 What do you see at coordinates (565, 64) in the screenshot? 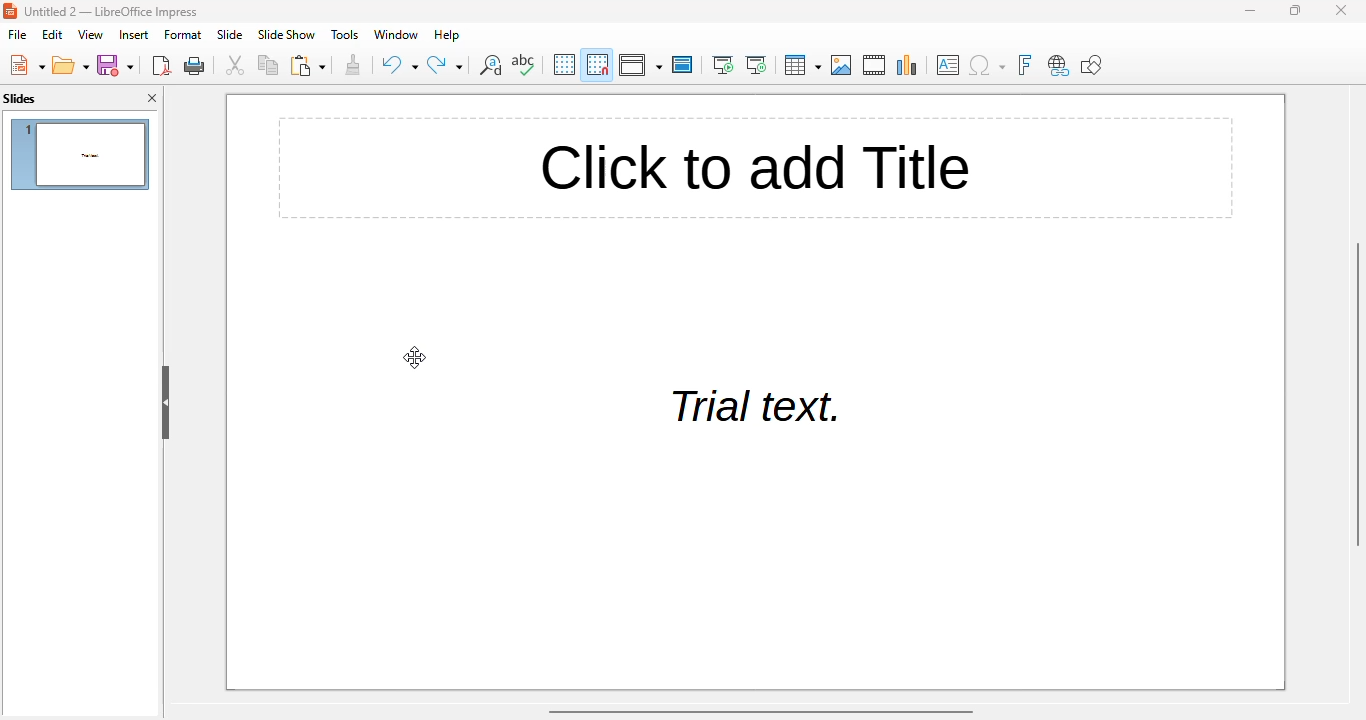
I see `display grid` at bounding box center [565, 64].